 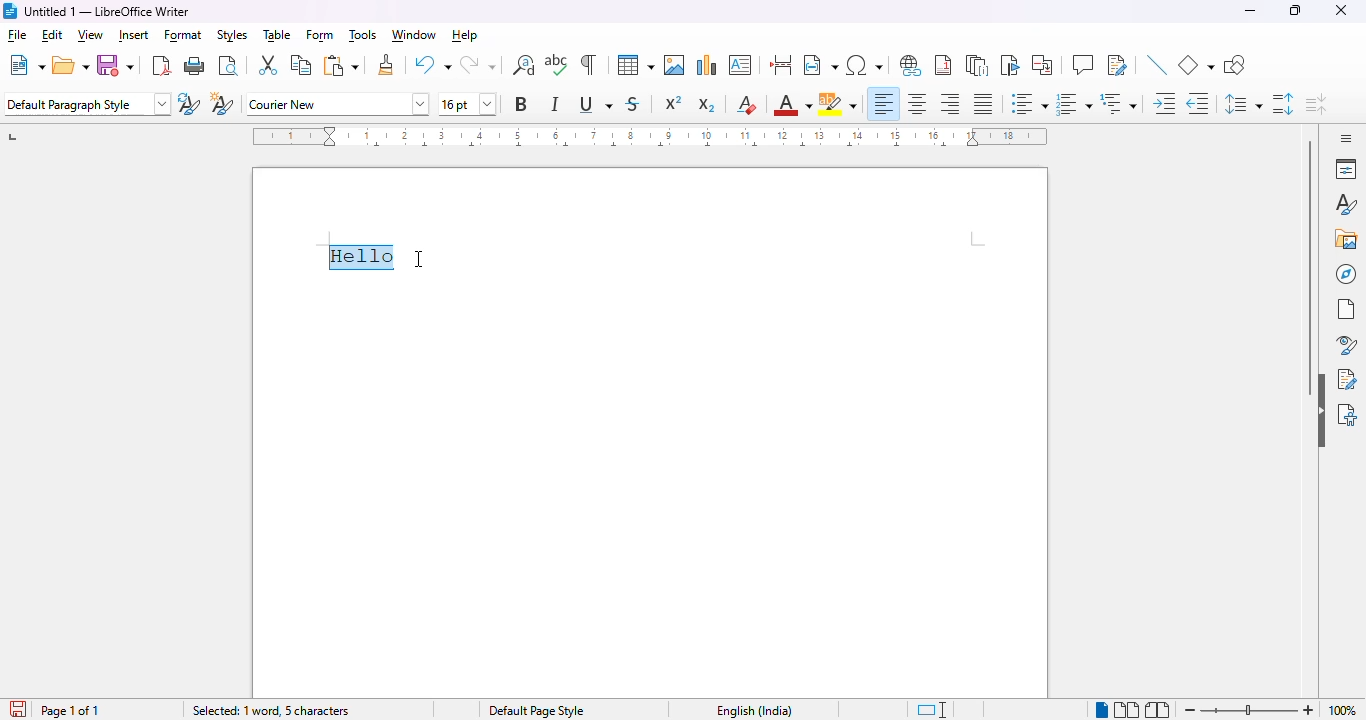 I want to click on insert bookmark, so click(x=1009, y=65).